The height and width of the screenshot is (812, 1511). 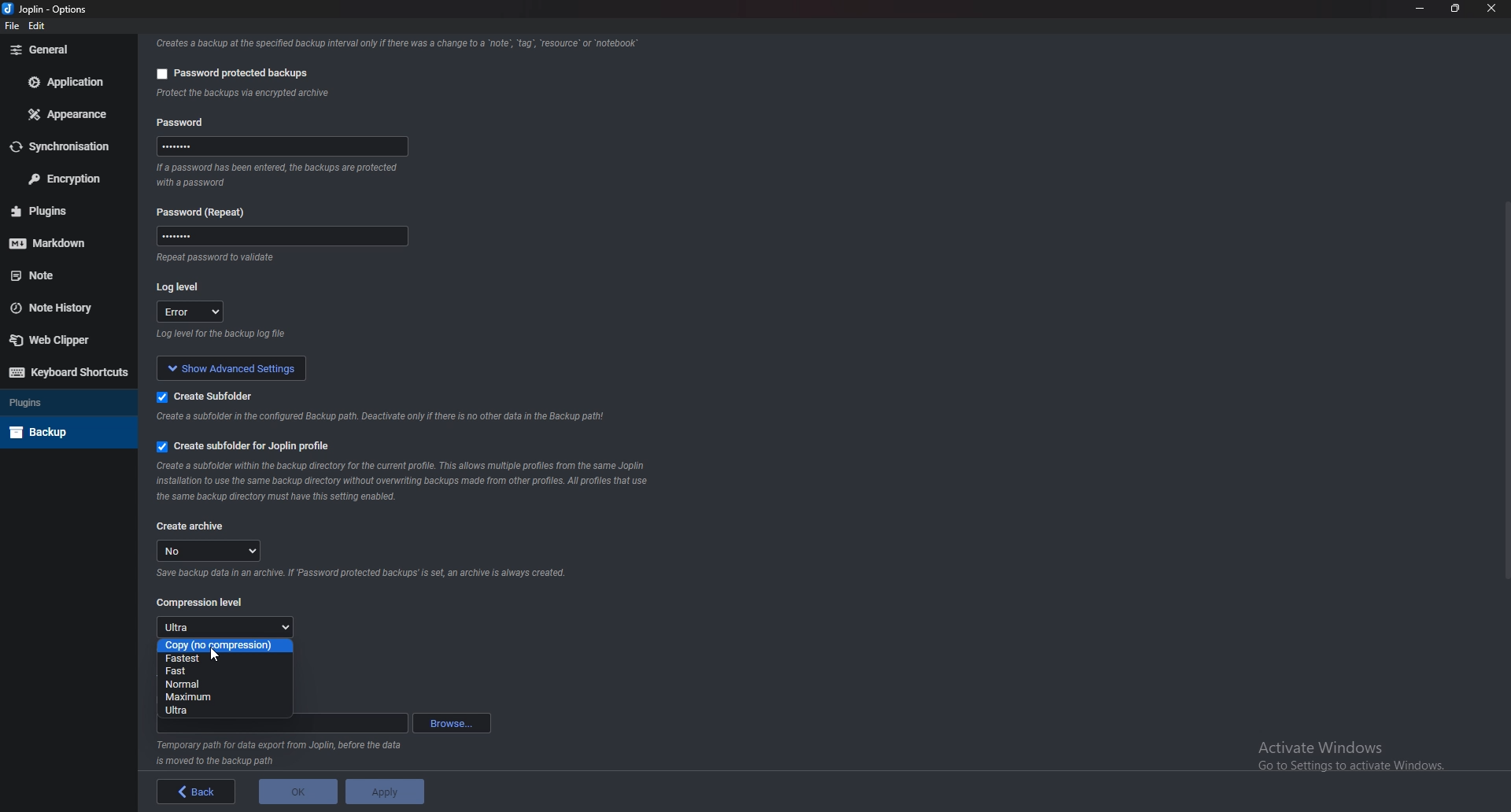 What do you see at coordinates (28, 10) in the screenshot?
I see `joplin` at bounding box center [28, 10].